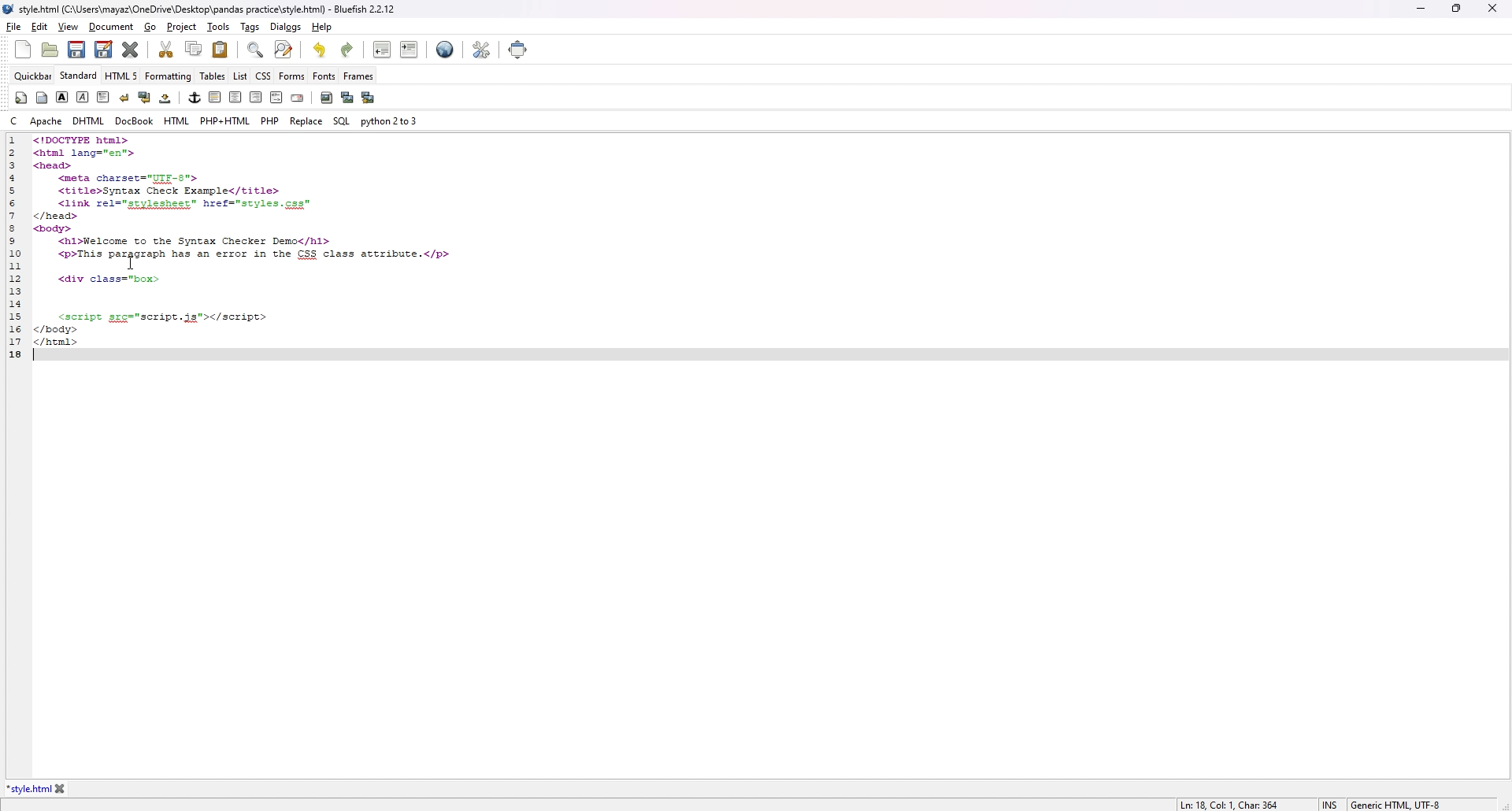 Image resolution: width=1512 pixels, height=811 pixels. Describe the element at coordinates (516, 49) in the screenshot. I see `full screen` at that location.